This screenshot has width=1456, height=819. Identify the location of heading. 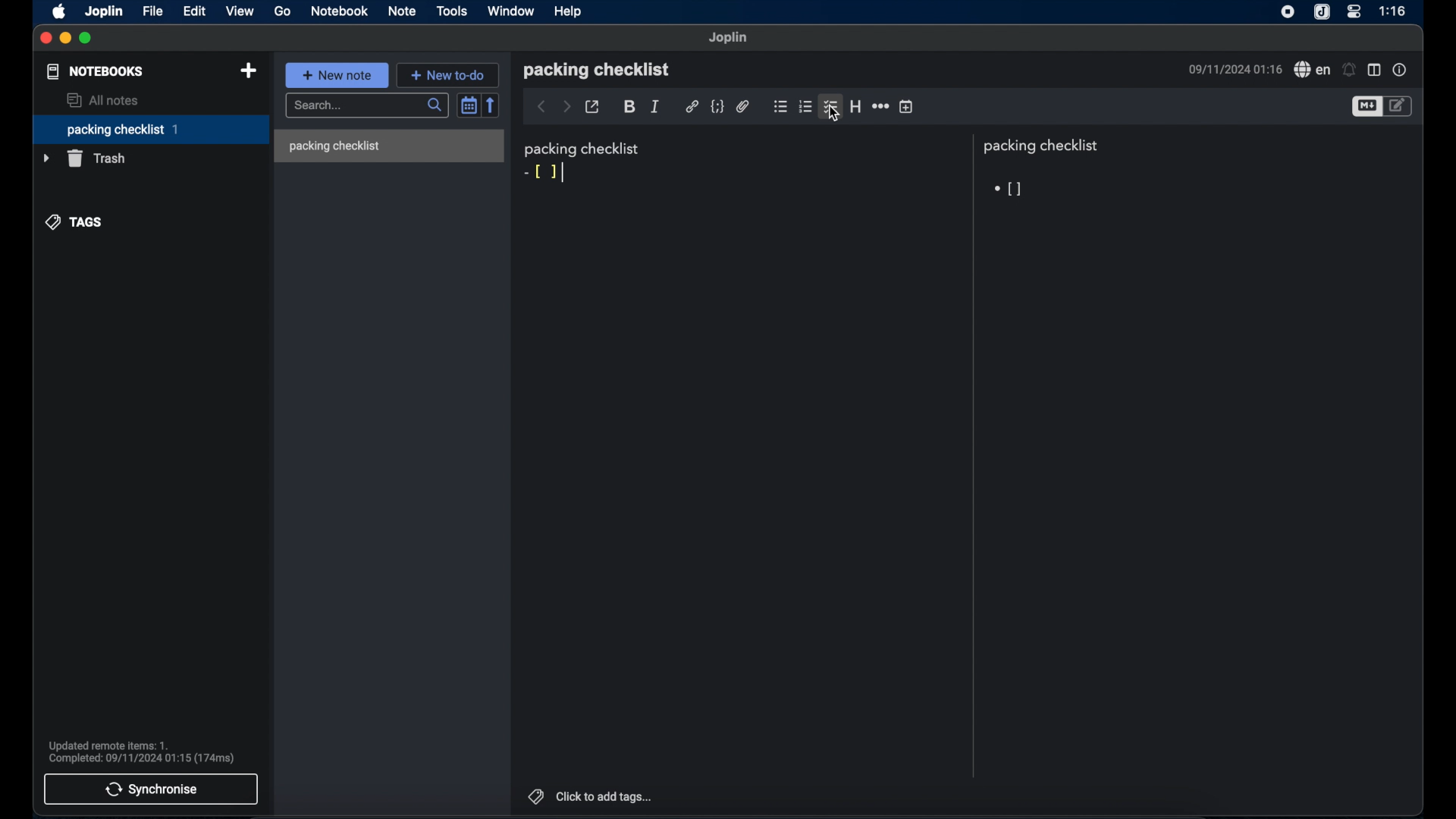
(855, 106).